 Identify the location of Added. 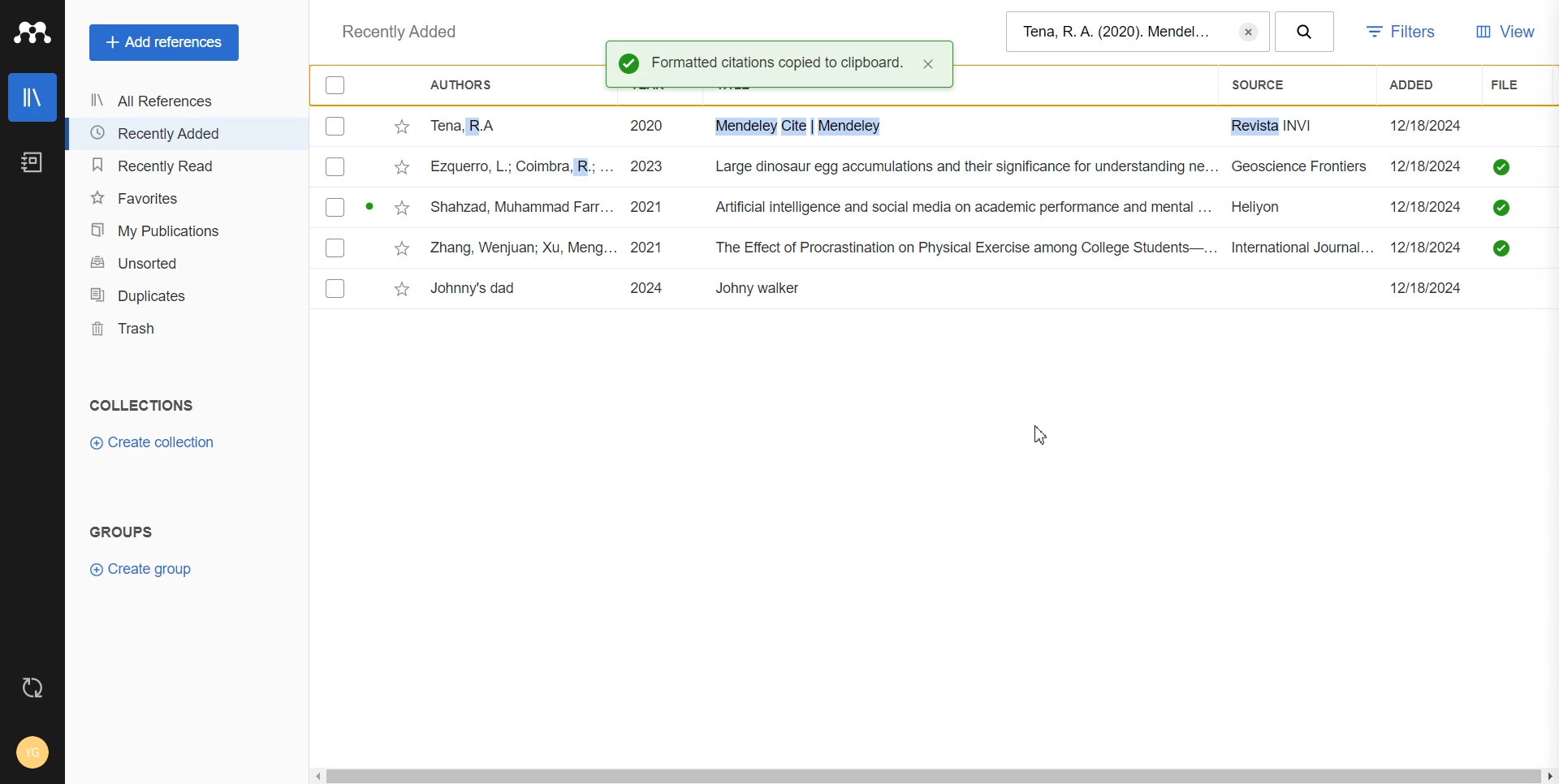
(1427, 84).